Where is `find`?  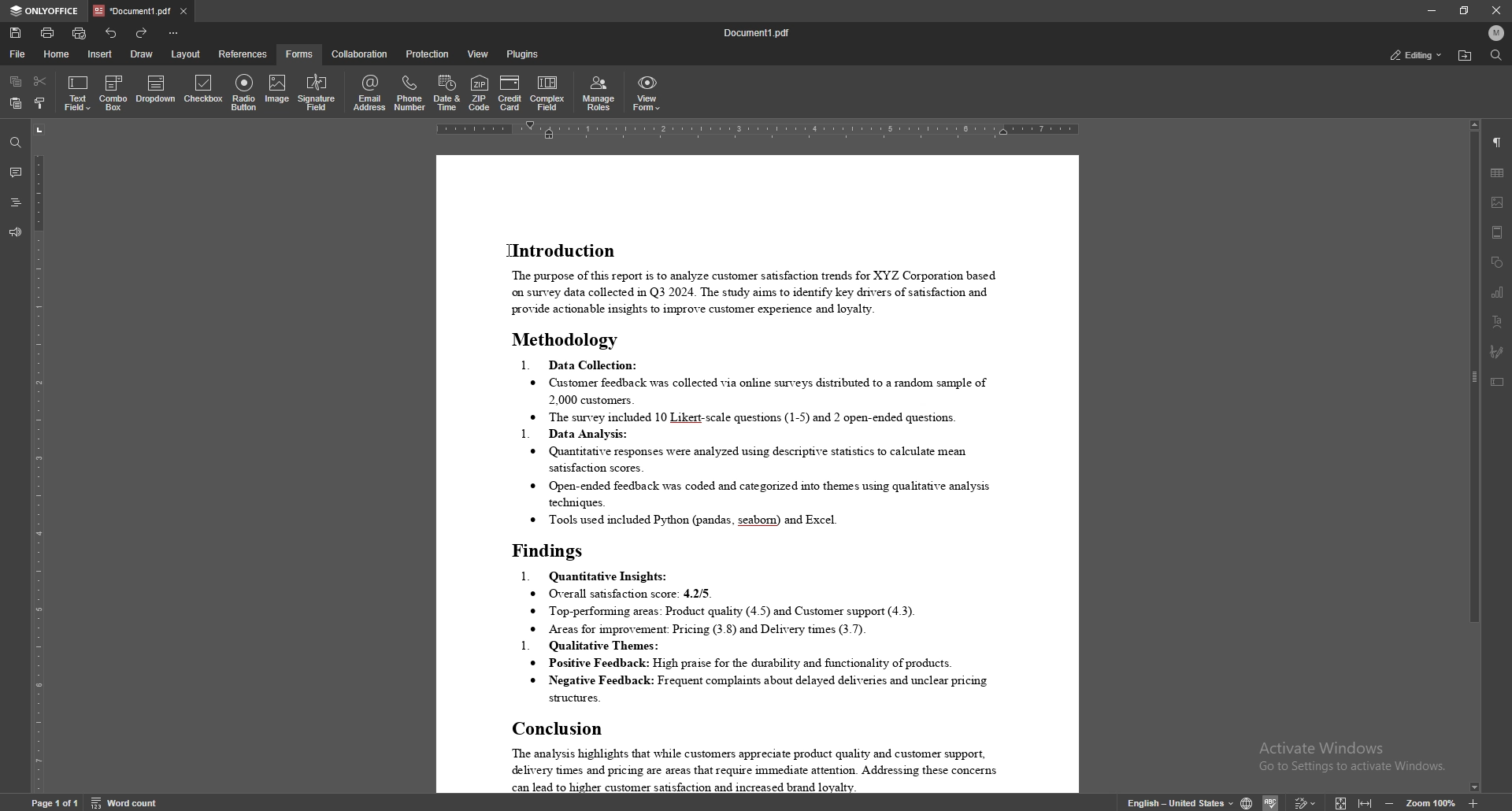 find is located at coordinates (1496, 55).